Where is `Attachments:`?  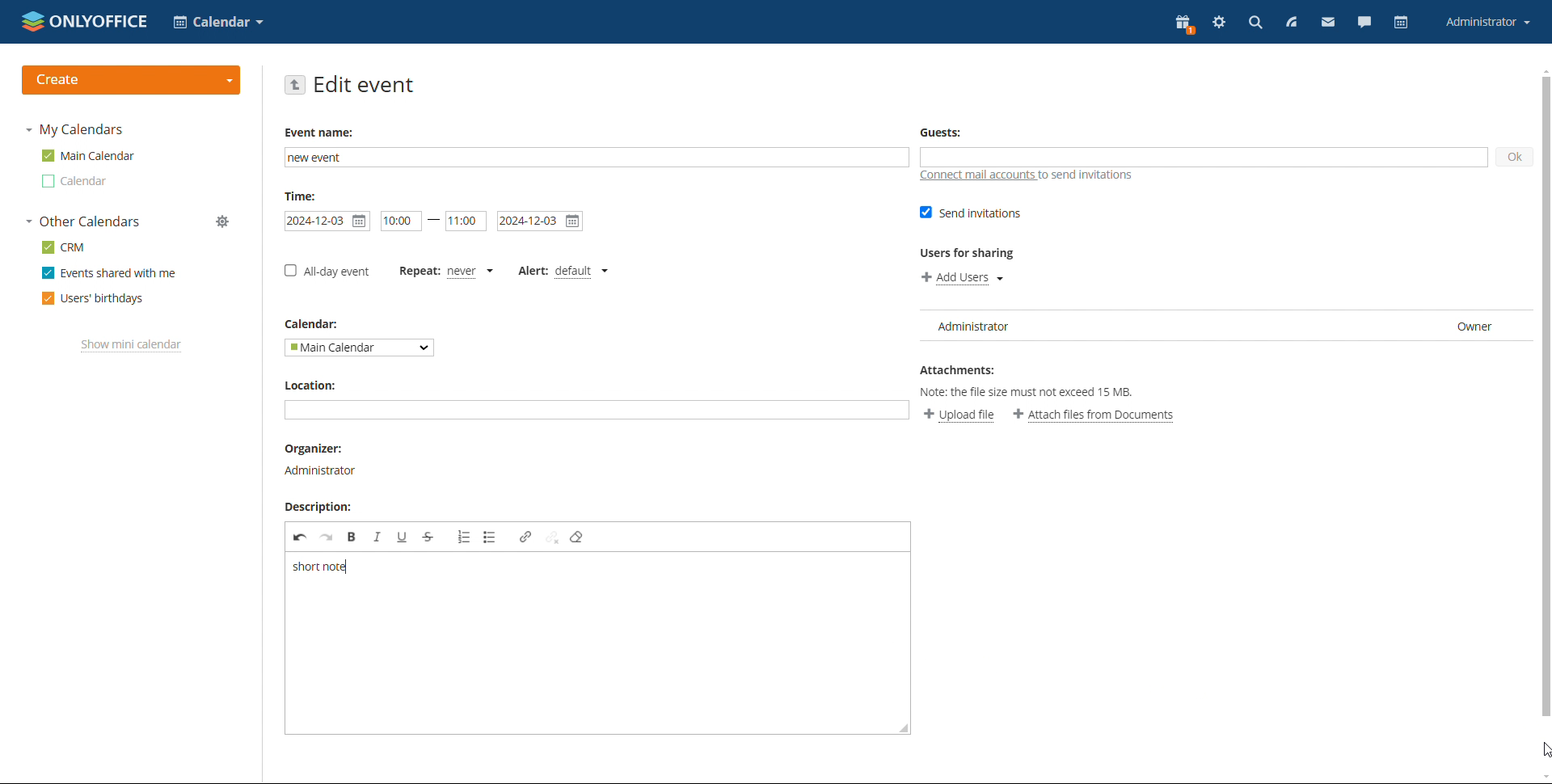
Attachments: is located at coordinates (959, 368).